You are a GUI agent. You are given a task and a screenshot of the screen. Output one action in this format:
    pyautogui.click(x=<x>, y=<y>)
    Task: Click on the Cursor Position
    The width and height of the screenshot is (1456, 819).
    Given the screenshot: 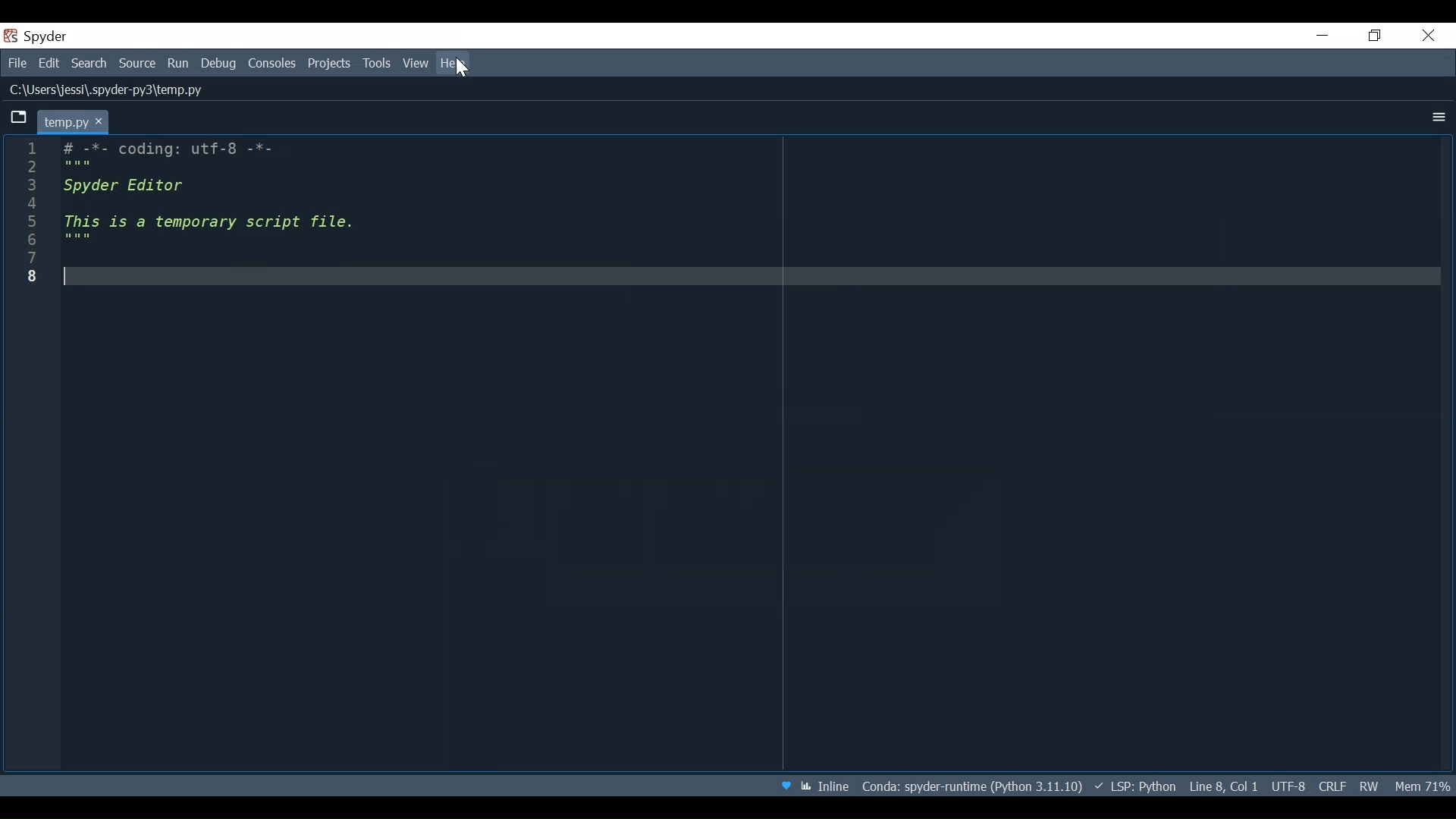 What is the action you would take?
    pyautogui.click(x=1223, y=788)
    